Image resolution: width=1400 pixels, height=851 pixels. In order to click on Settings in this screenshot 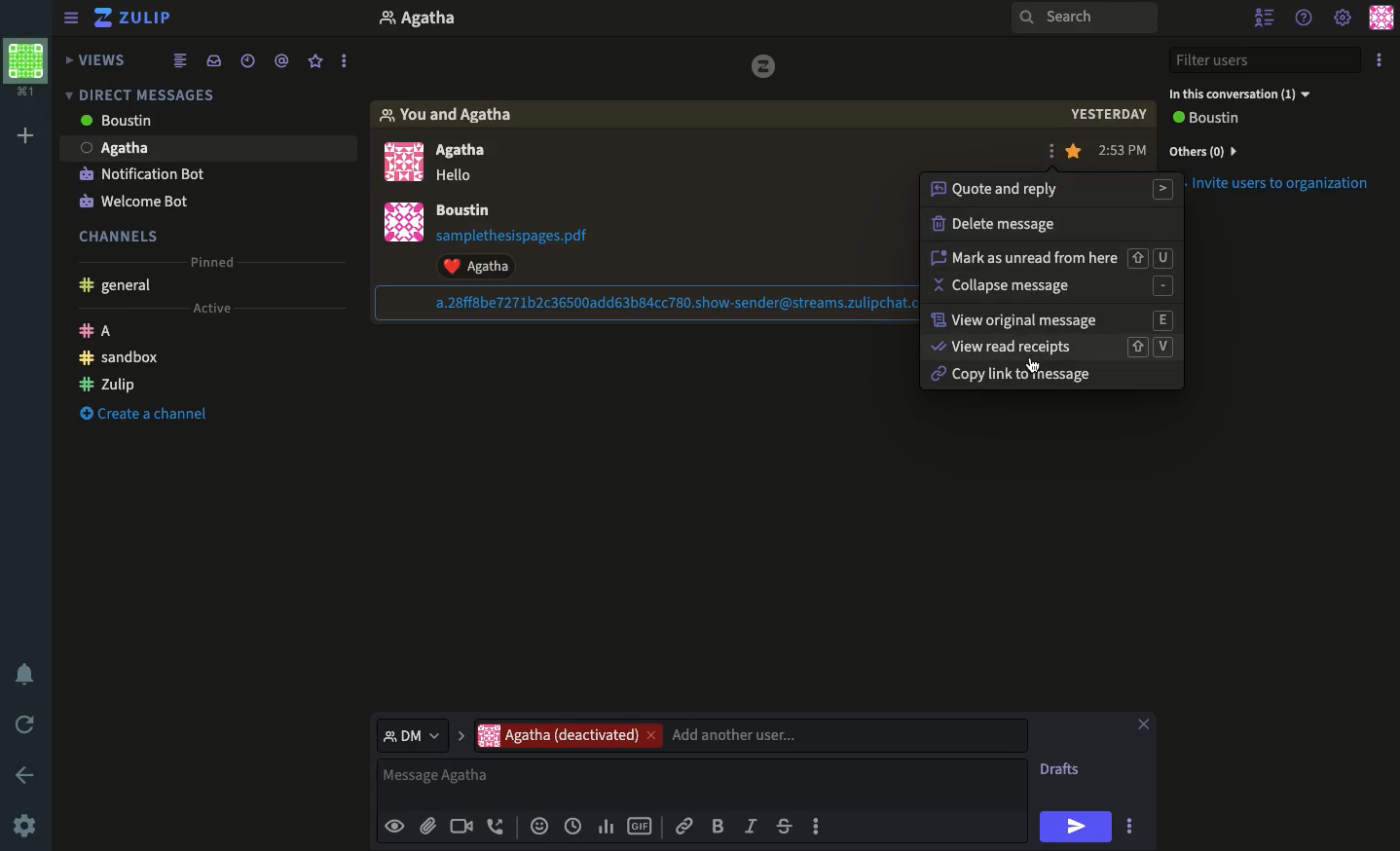, I will do `click(24, 828)`.